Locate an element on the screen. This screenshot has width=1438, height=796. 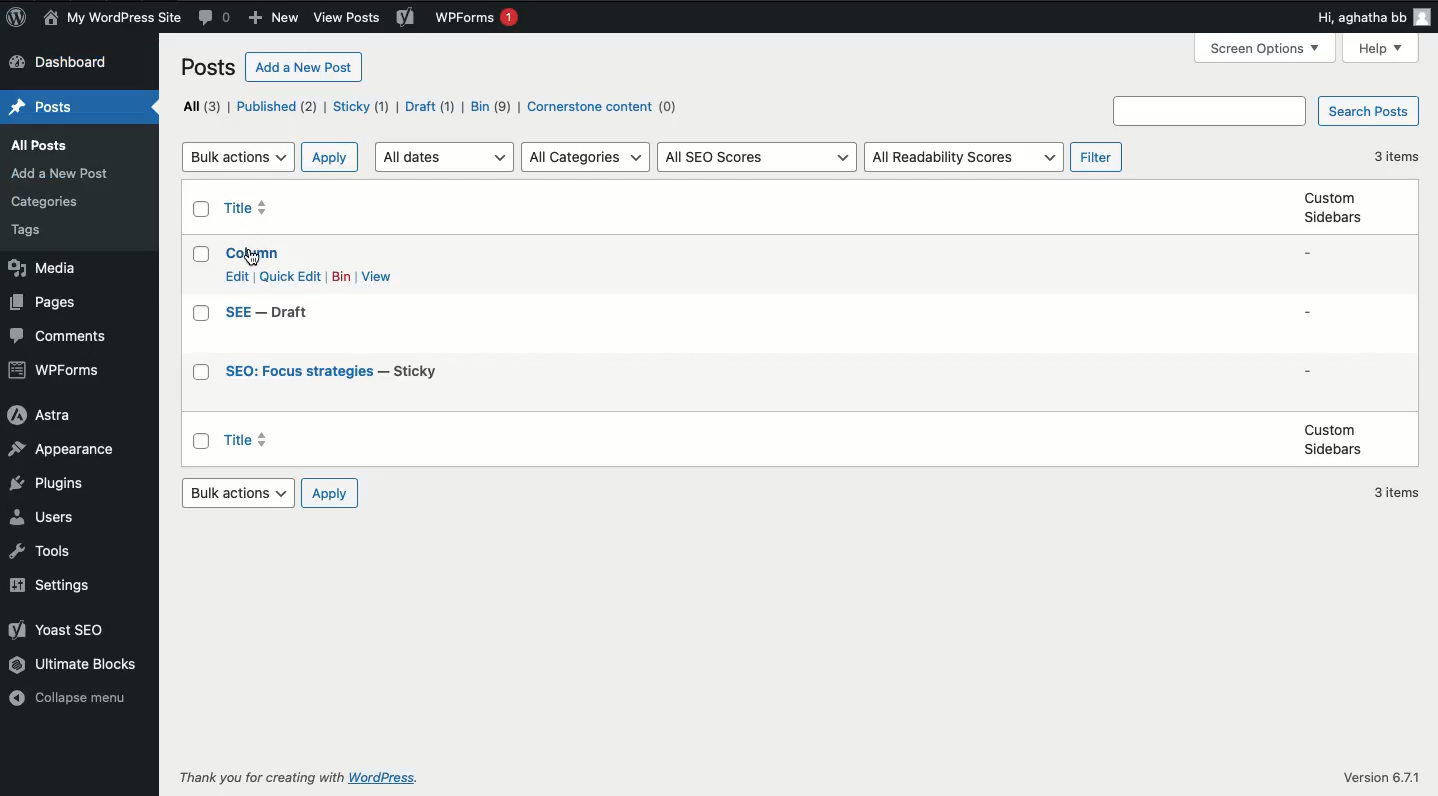
Comments is located at coordinates (217, 16).